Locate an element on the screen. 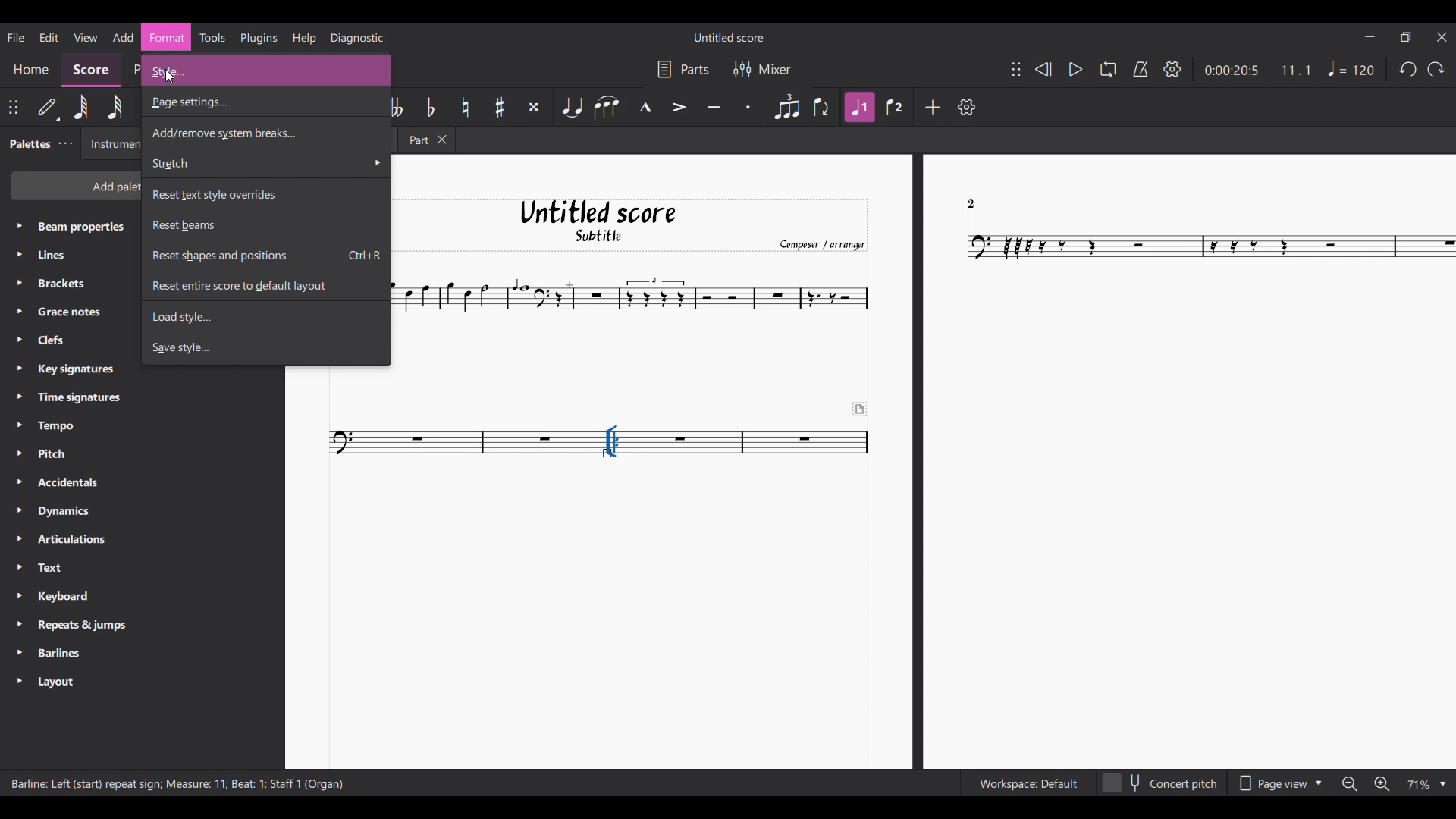 This screenshot has width=1456, height=819. Help menu is located at coordinates (305, 39).